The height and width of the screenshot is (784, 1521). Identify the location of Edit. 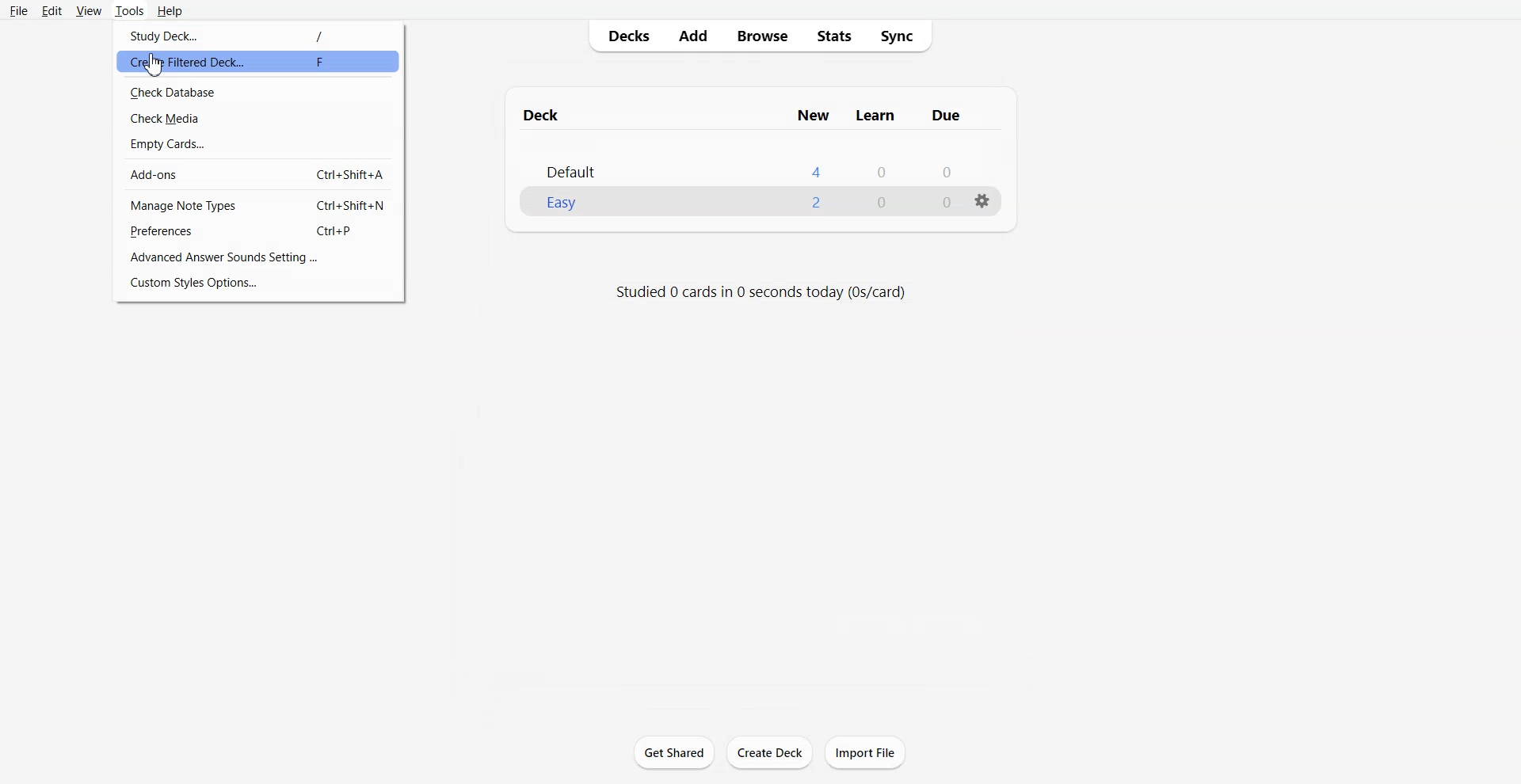
(53, 11).